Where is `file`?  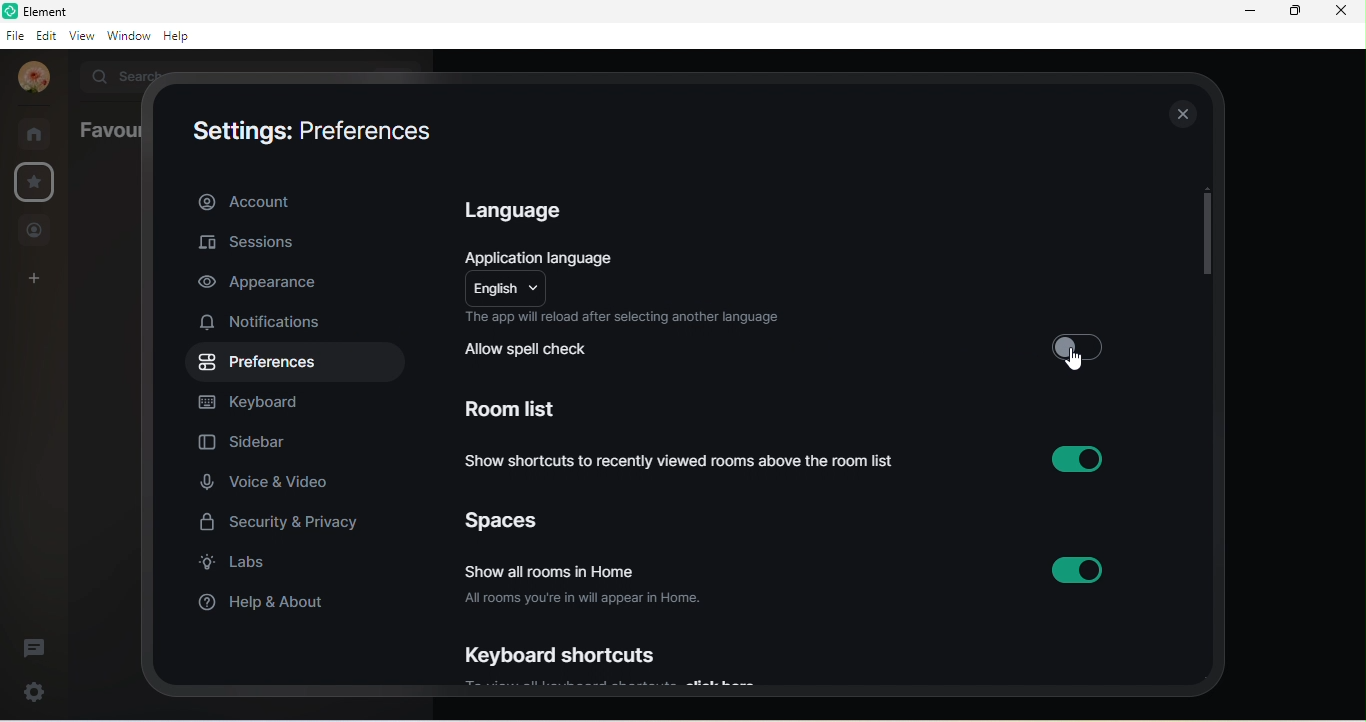 file is located at coordinates (15, 35).